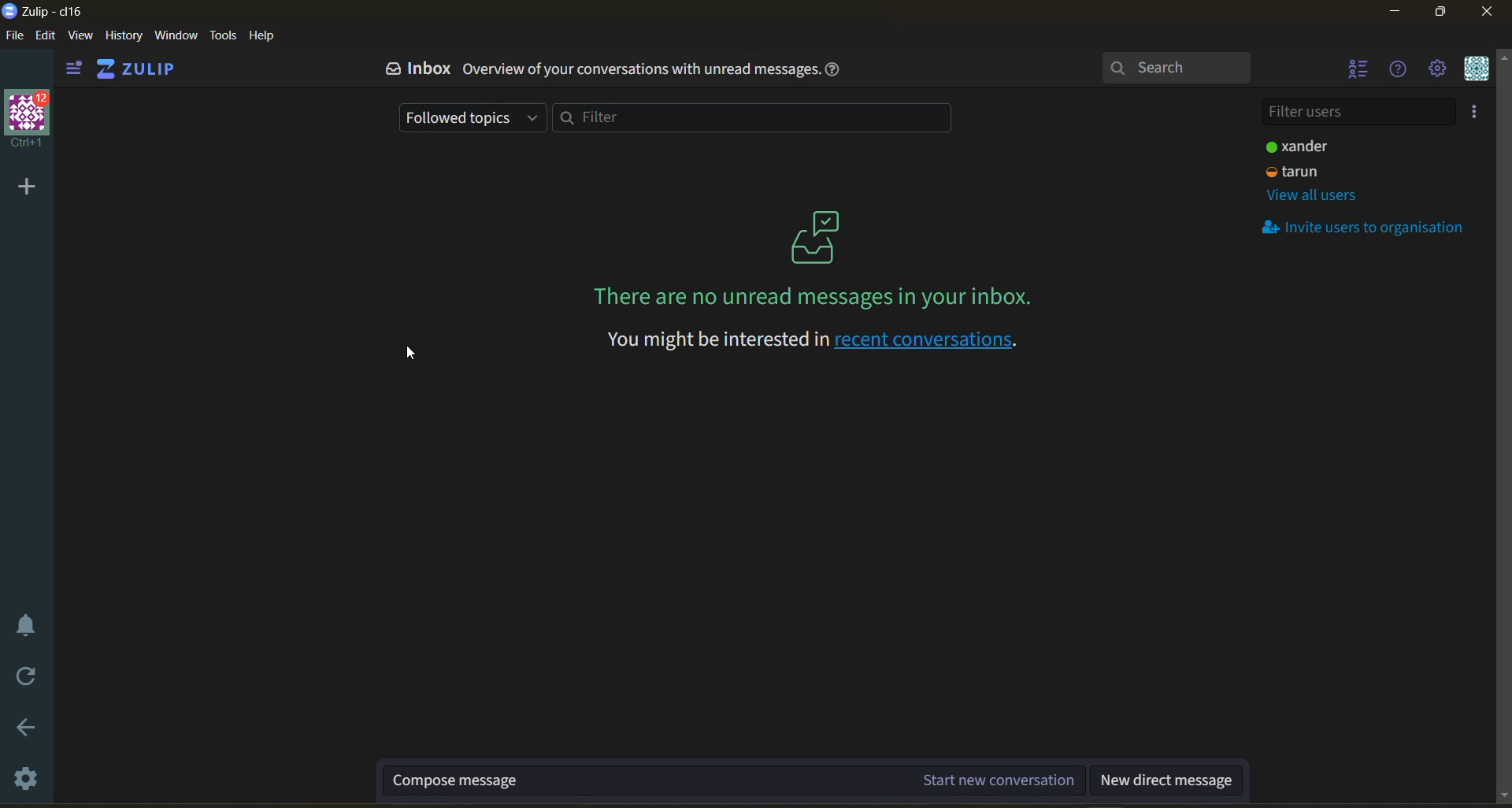  Describe the element at coordinates (1437, 13) in the screenshot. I see `maximize` at that location.